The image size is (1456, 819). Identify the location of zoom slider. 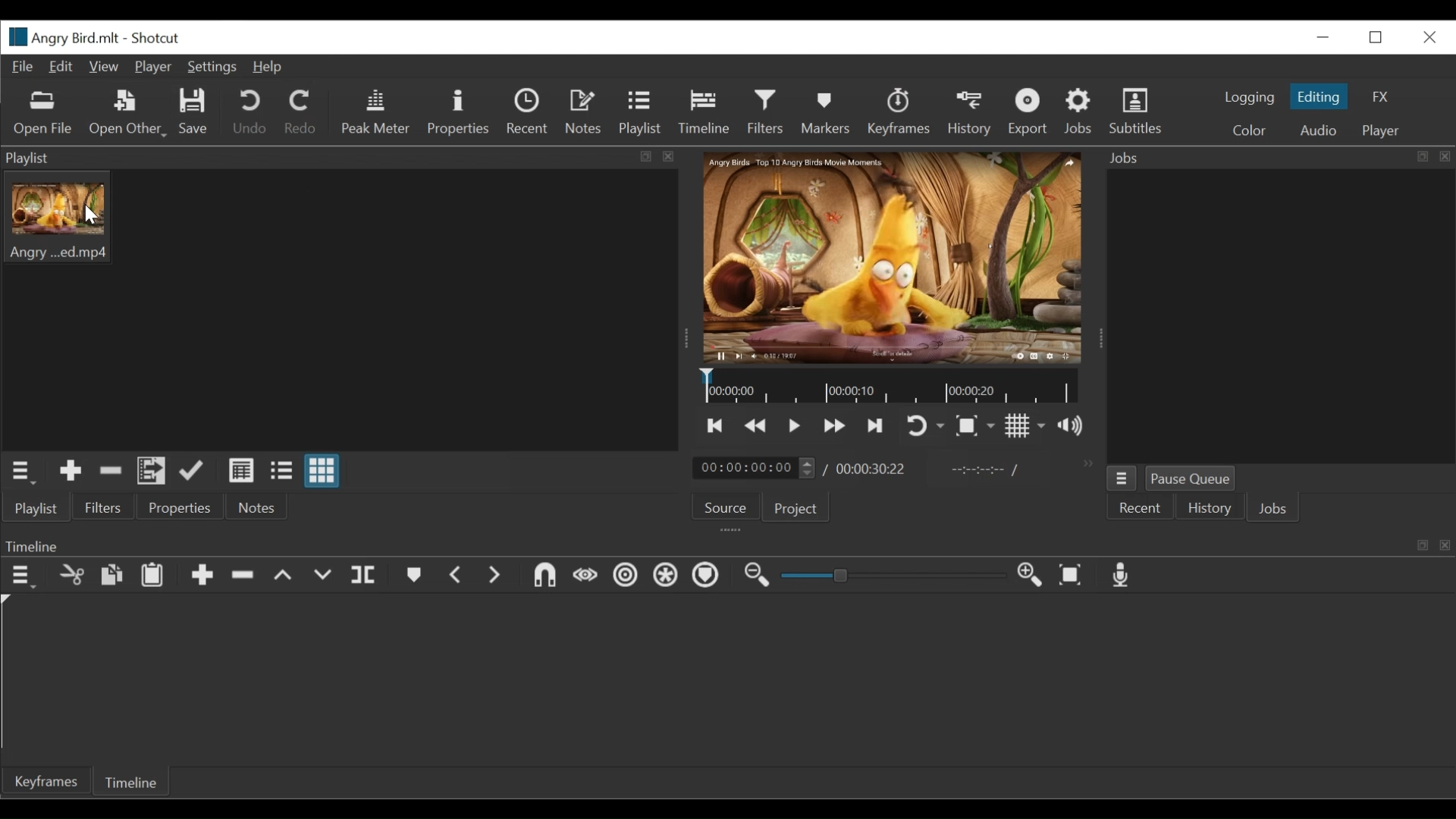
(890, 577).